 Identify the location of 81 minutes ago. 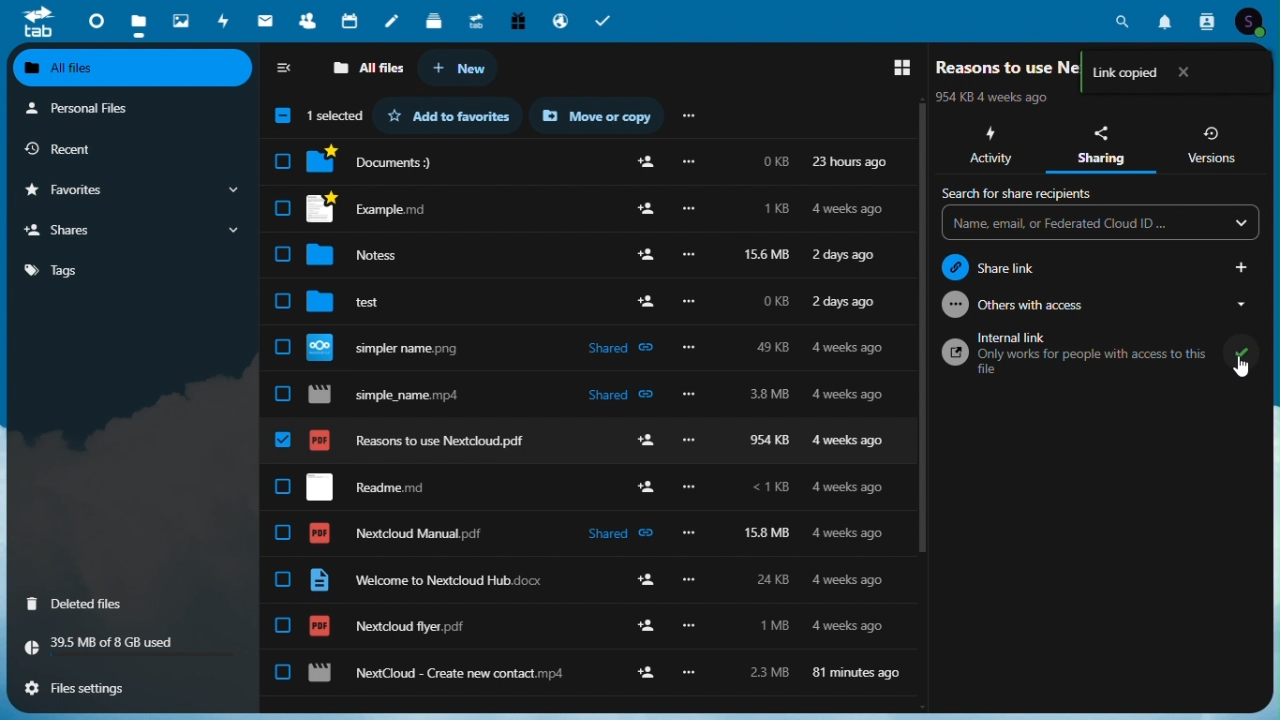
(856, 670).